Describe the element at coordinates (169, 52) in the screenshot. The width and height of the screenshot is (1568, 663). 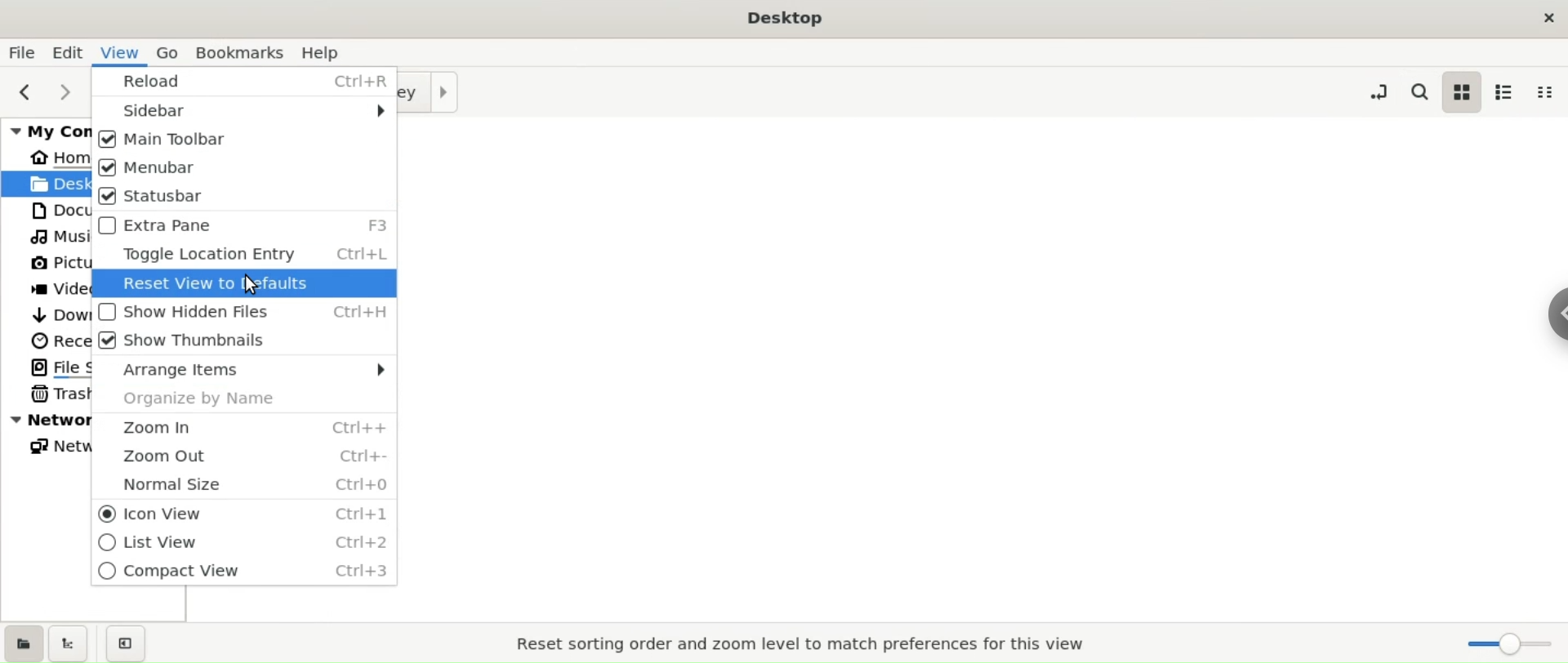
I see `go` at that location.